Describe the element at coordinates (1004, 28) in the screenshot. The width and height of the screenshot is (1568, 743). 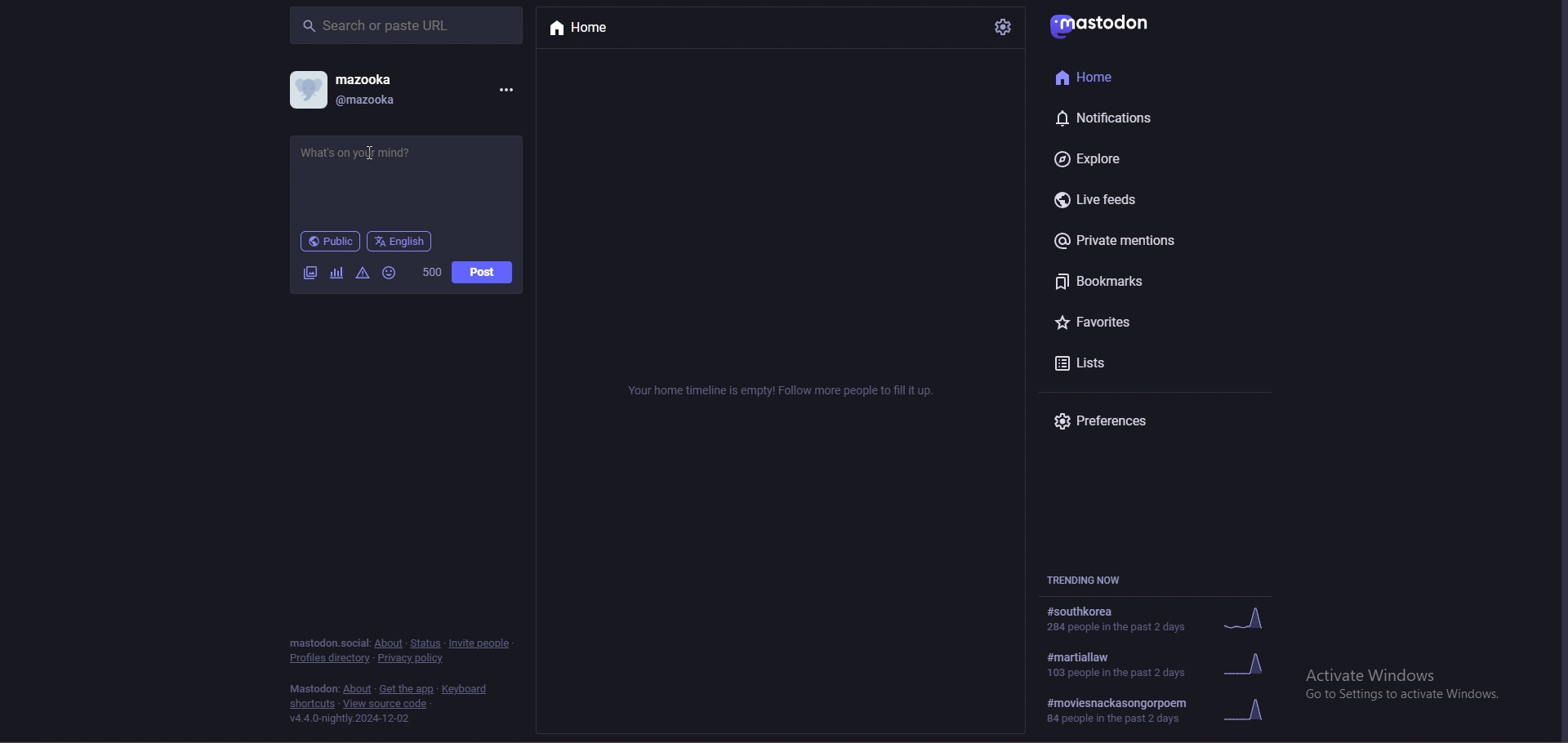
I see `settings` at that location.